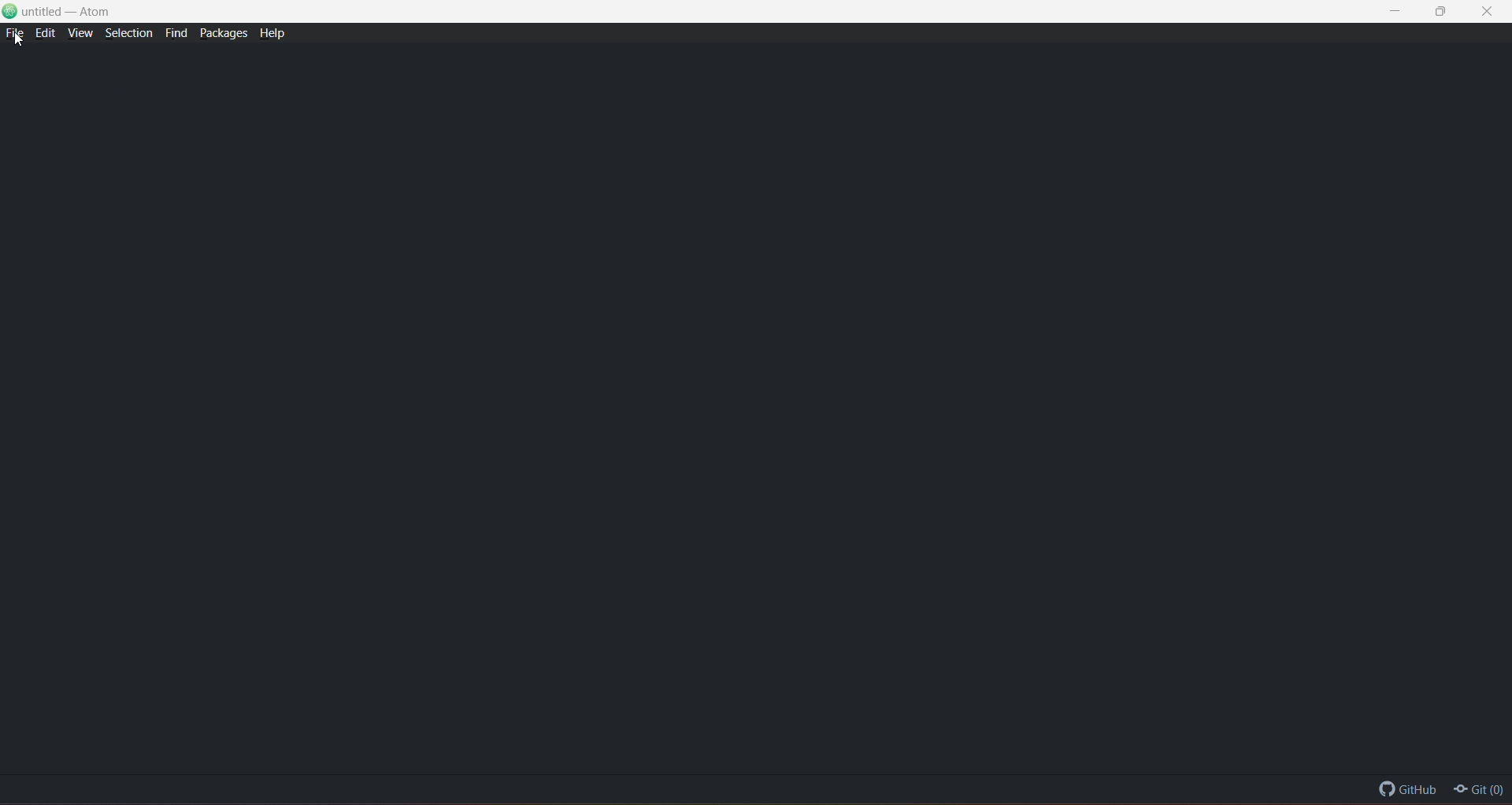  What do you see at coordinates (224, 33) in the screenshot?
I see `Packages` at bounding box center [224, 33].